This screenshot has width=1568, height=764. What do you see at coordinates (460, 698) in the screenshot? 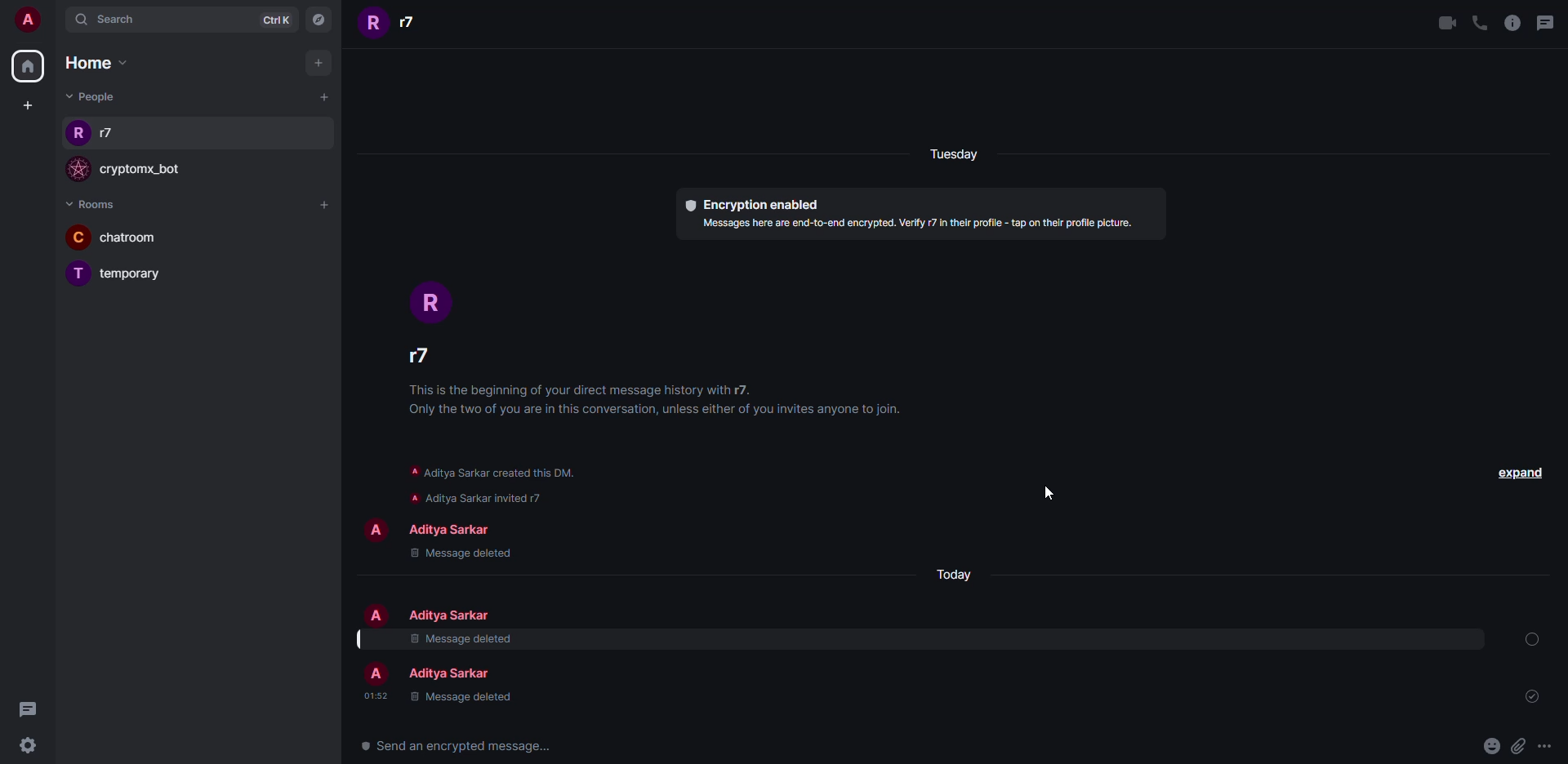
I see `message deleted` at bounding box center [460, 698].